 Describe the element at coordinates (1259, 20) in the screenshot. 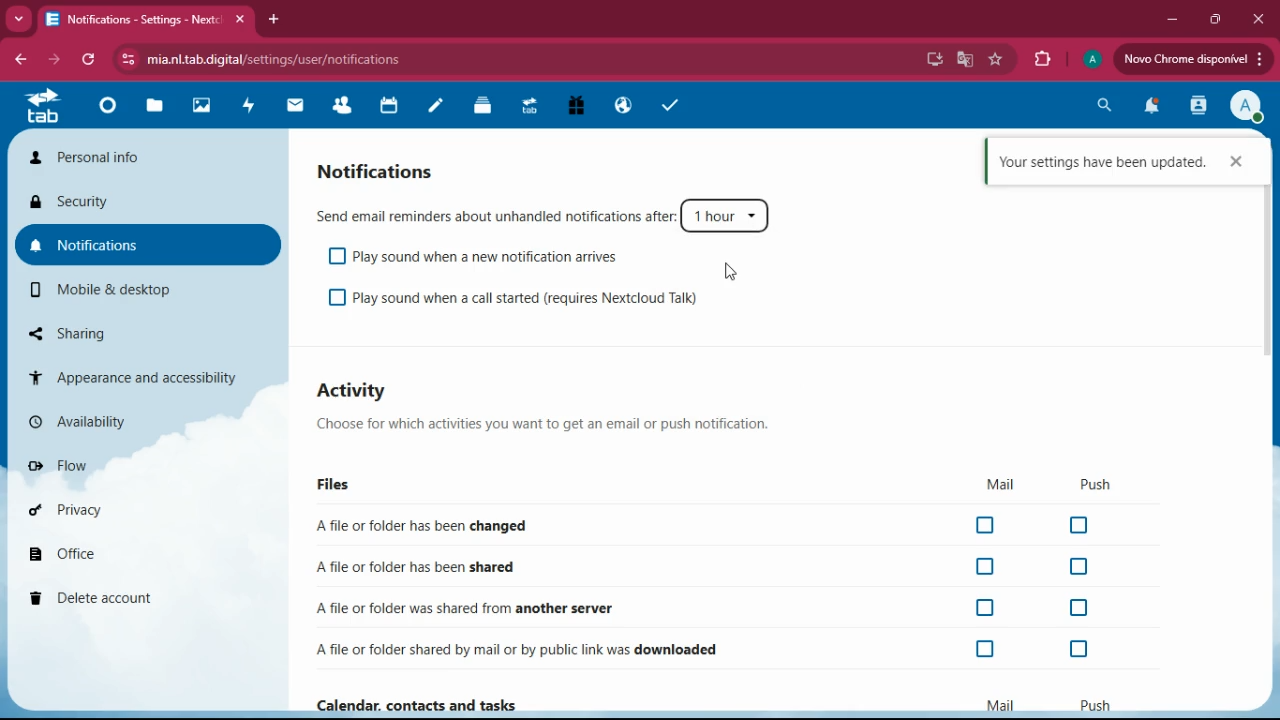

I see `close` at that location.